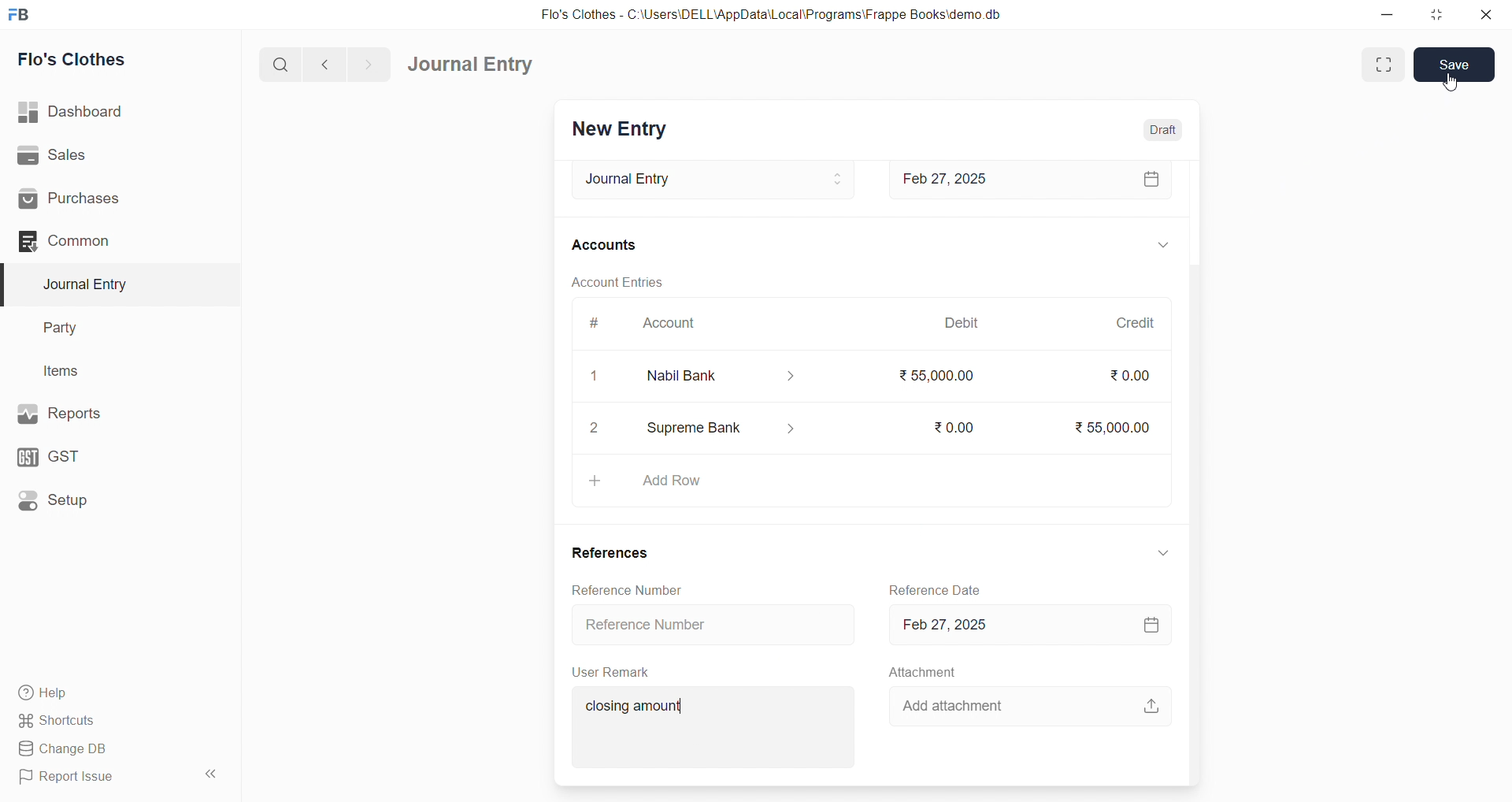 This screenshot has height=802, width=1512. Describe the element at coordinates (95, 722) in the screenshot. I see `Shortcuts` at that location.